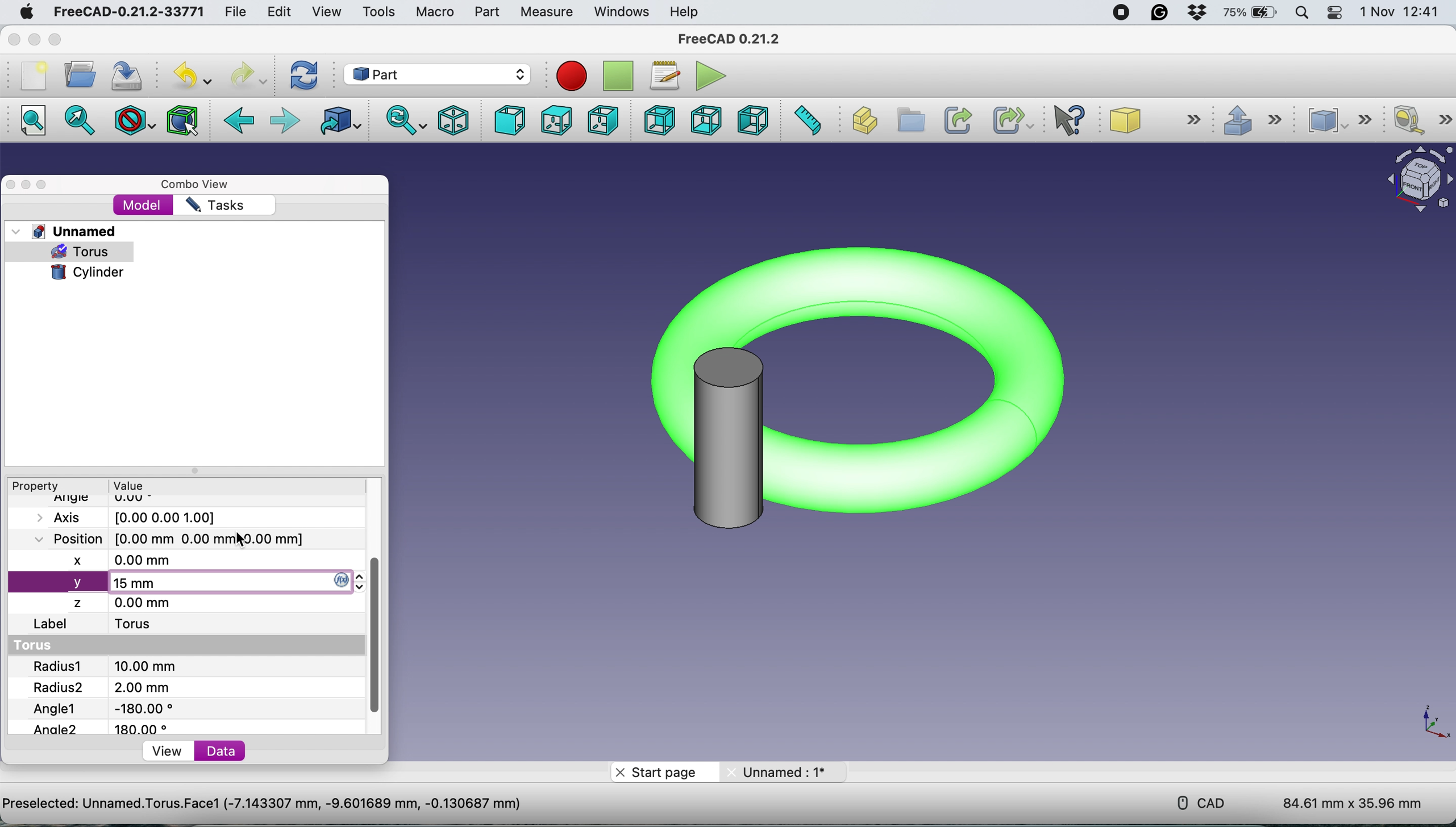 This screenshot has height=827, width=1456. Describe the element at coordinates (12, 183) in the screenshot. I see `close` at that location.